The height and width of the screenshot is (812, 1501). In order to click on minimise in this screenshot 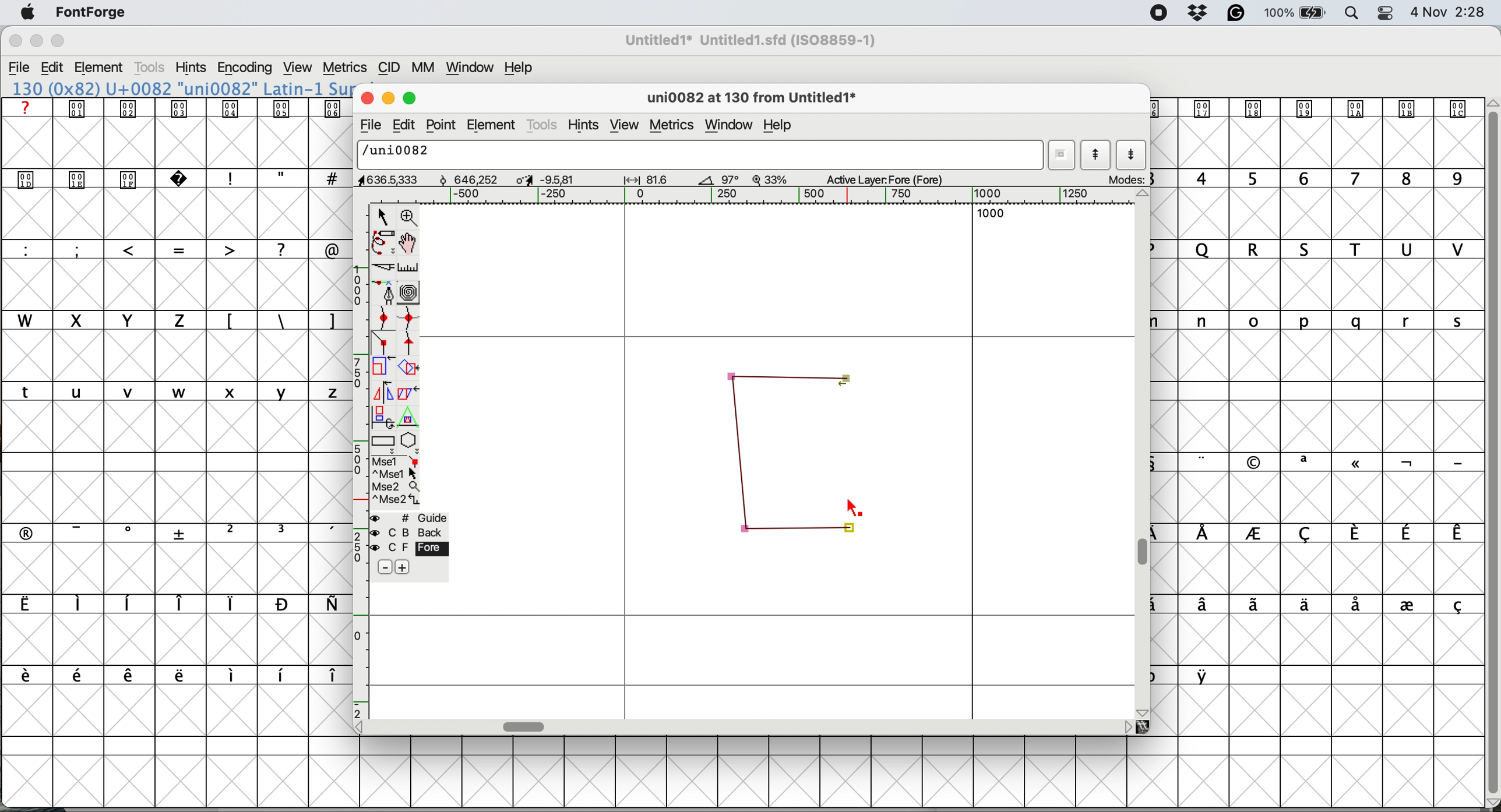, I will do `click(386, 97)`.